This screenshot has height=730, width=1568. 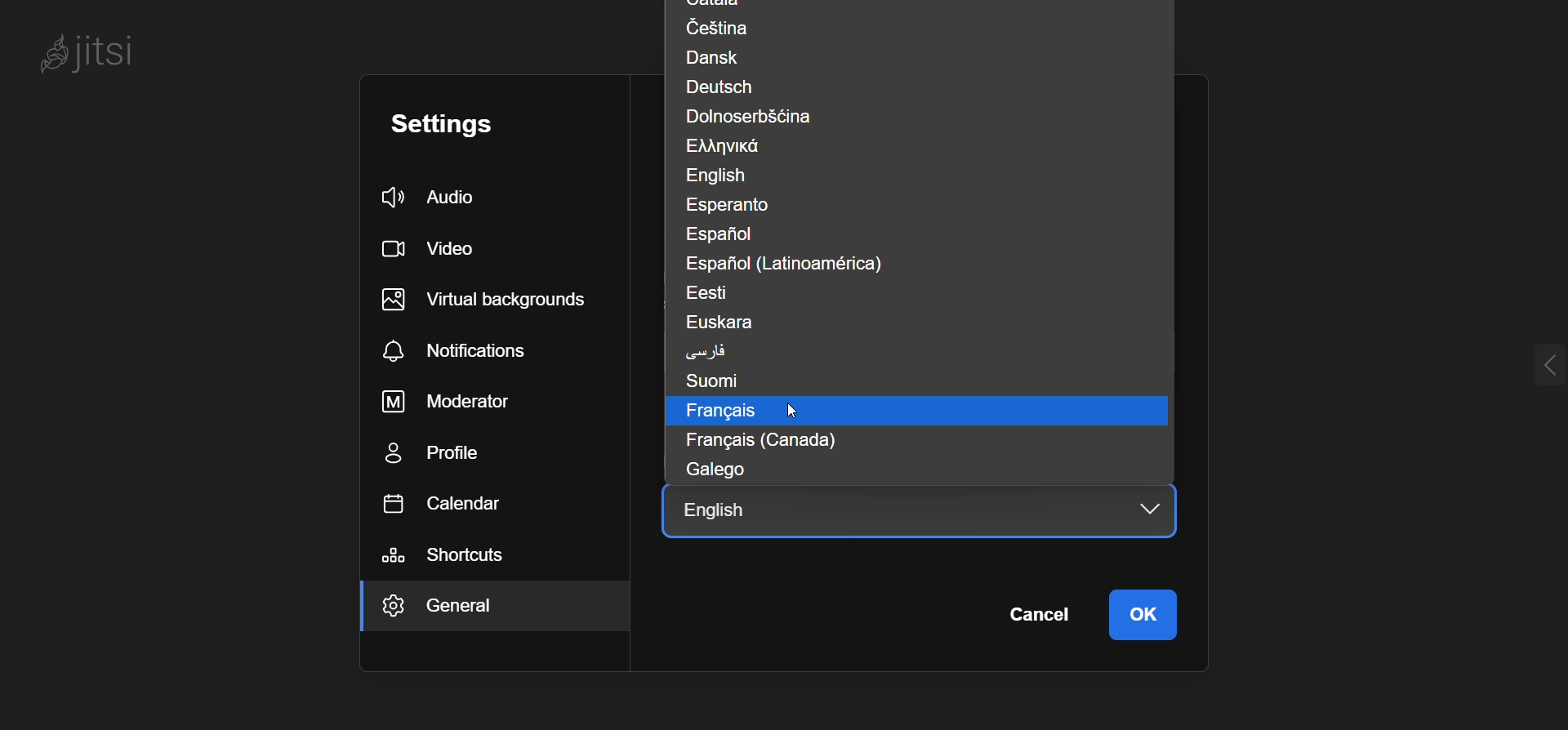 I want to click on Euskara, so click(x=724, y=322).